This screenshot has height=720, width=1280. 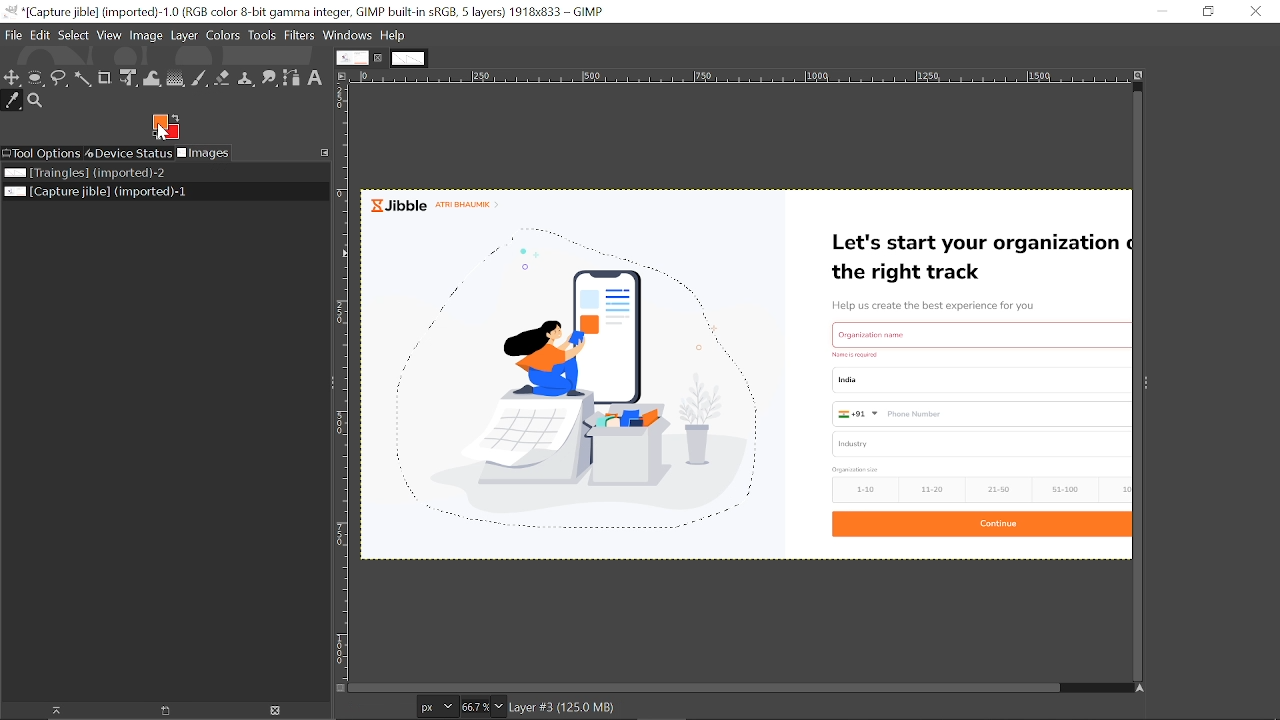 What do you see at coordinates (222, 78) in the screenshot?
I see `Eraser tool` at bounding box center [222, 78].